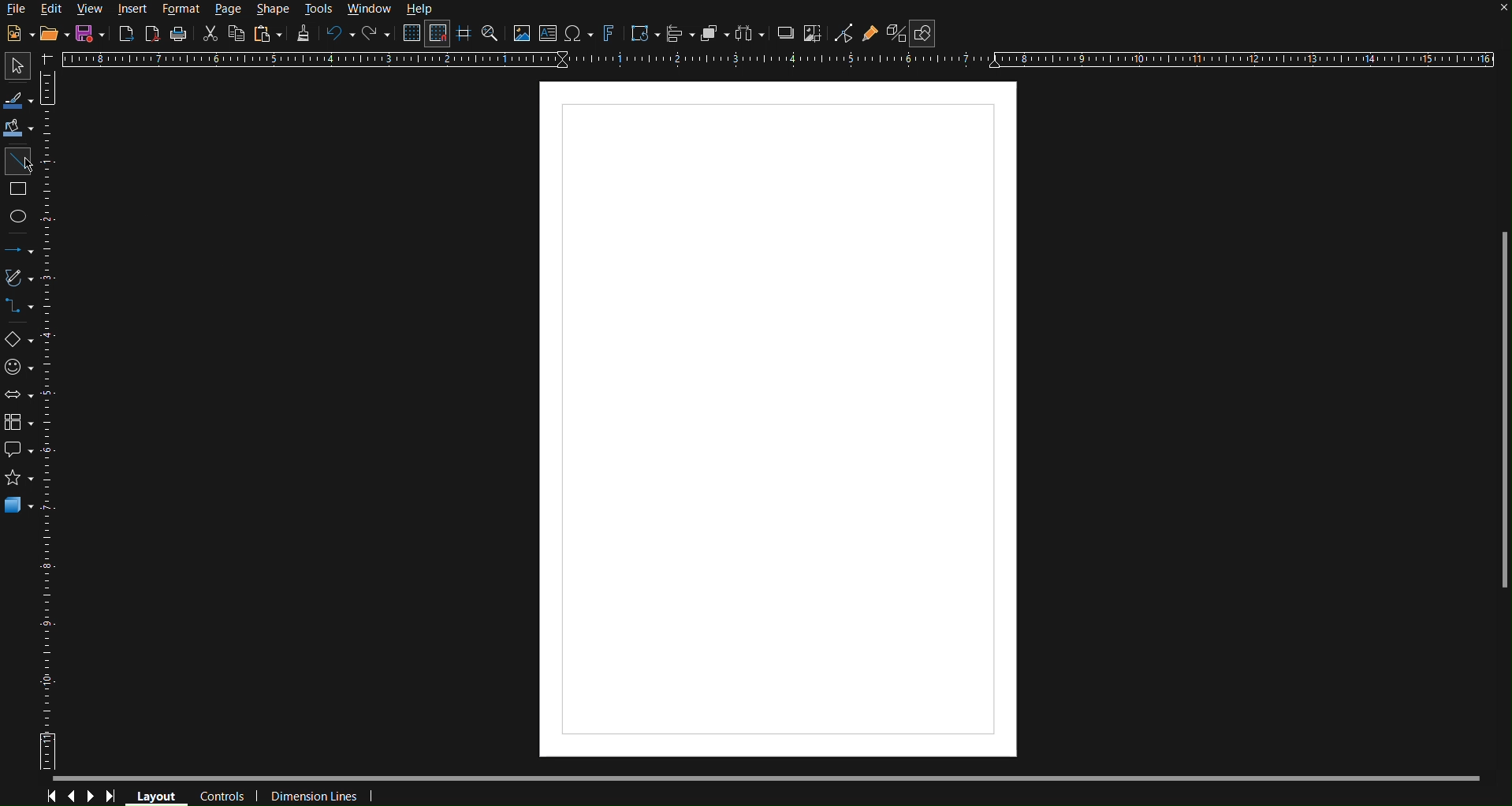 This screenshot has width=1512, height=806. What do you see at coordinates (785, 32) in the screenshot?
I see `Shadow` at bounding box center [785, 32].